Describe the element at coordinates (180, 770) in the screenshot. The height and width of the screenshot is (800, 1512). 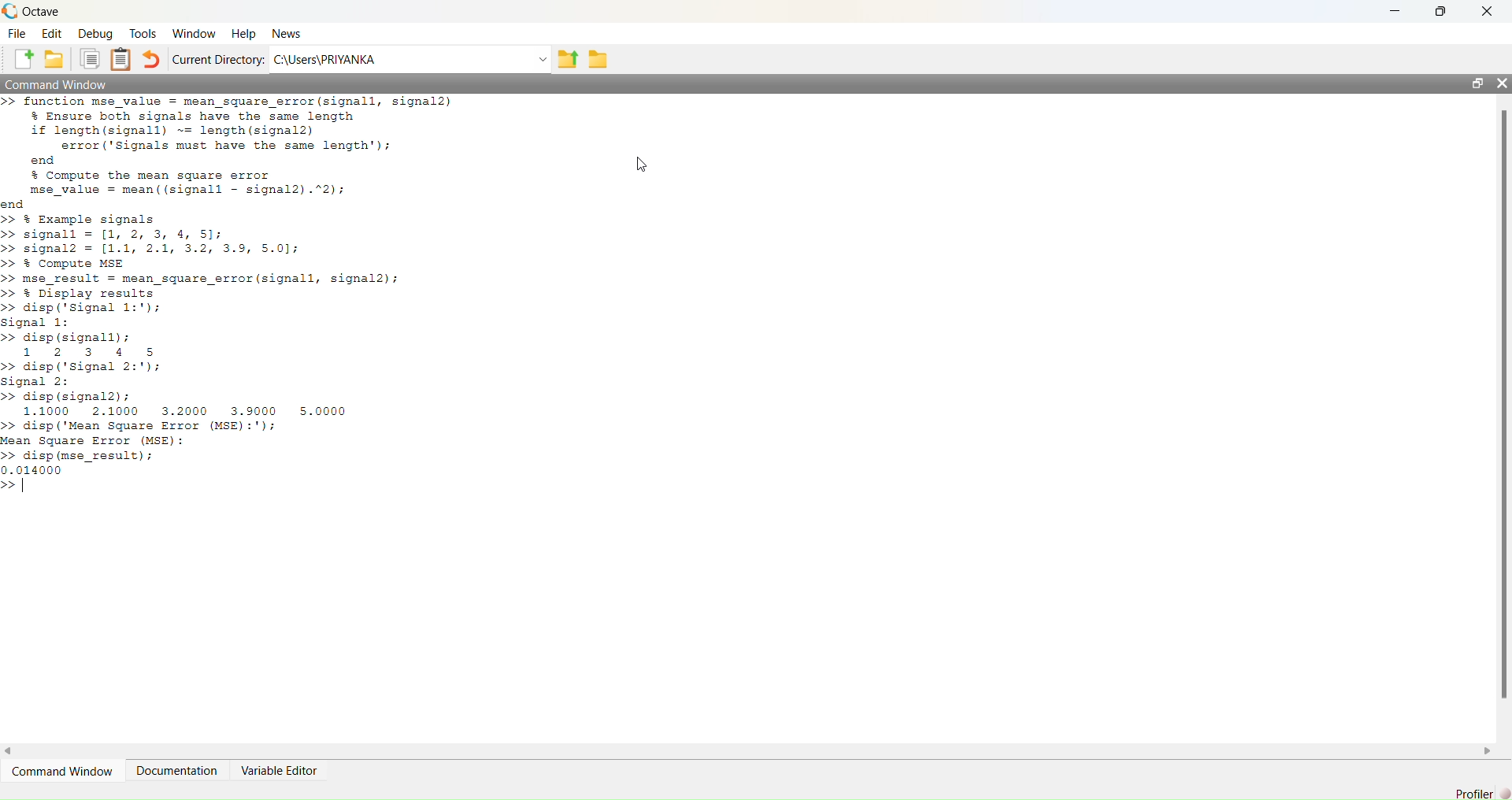
I see `Documentation` at that location.